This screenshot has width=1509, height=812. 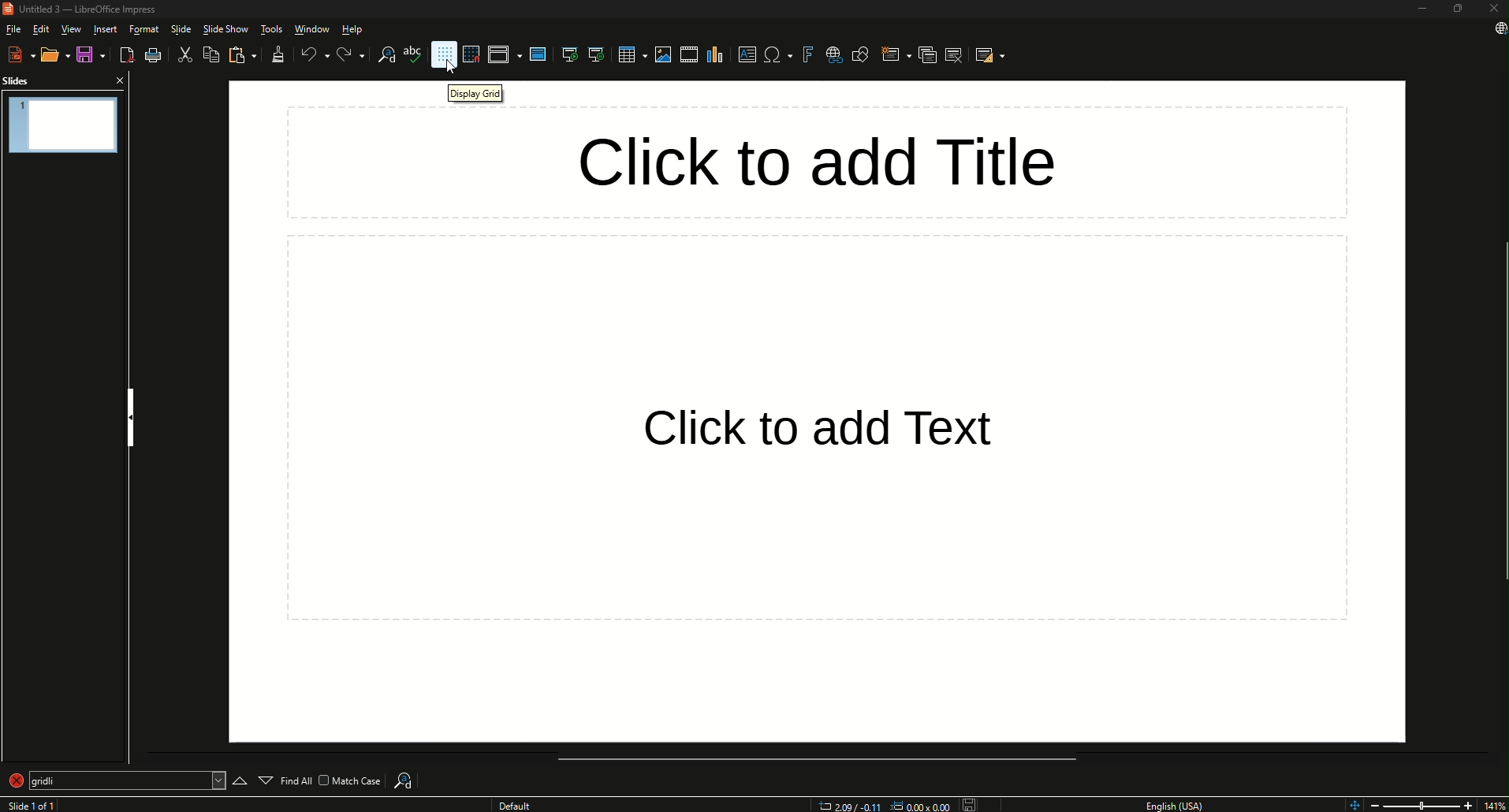 What do you see at coordinates (1457, 9) in the screenshot?
I see `Restore` at bounding box center [1457, 9].